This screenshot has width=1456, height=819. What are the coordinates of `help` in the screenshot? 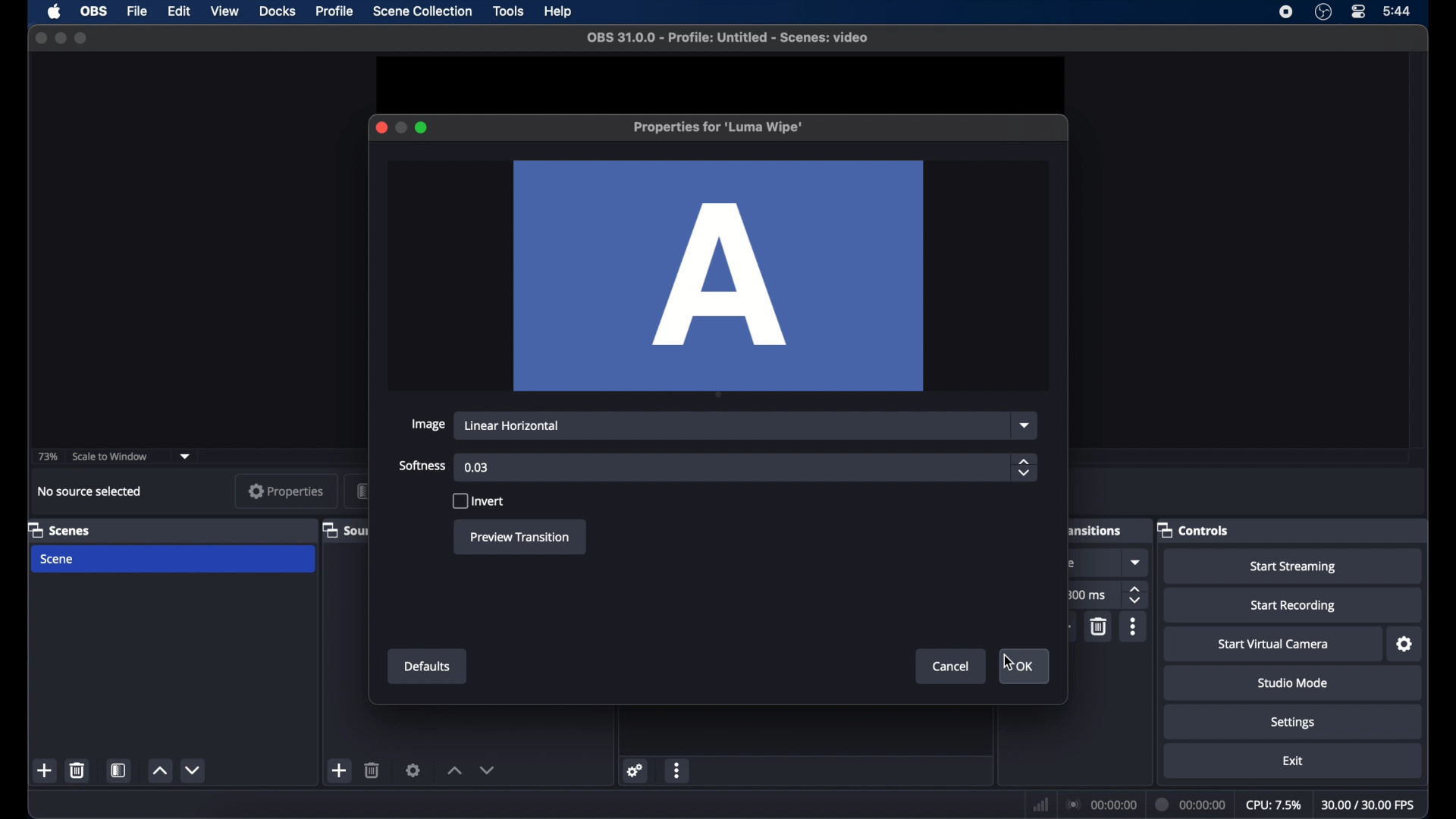 It's located at (559, 10).